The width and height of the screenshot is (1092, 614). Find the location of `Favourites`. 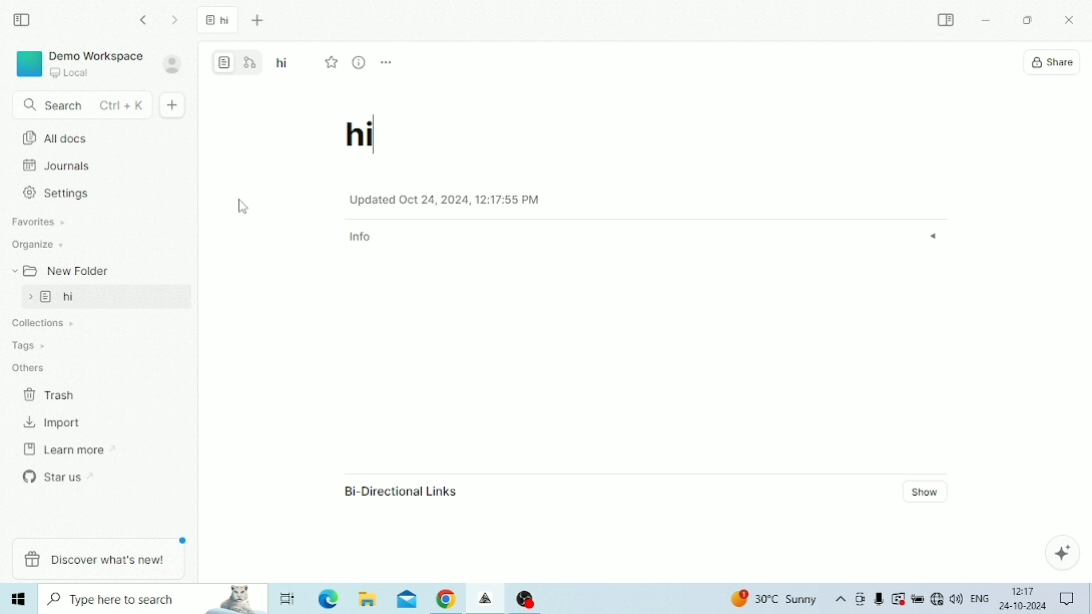

Favourites is located at coordinates (40, 222).